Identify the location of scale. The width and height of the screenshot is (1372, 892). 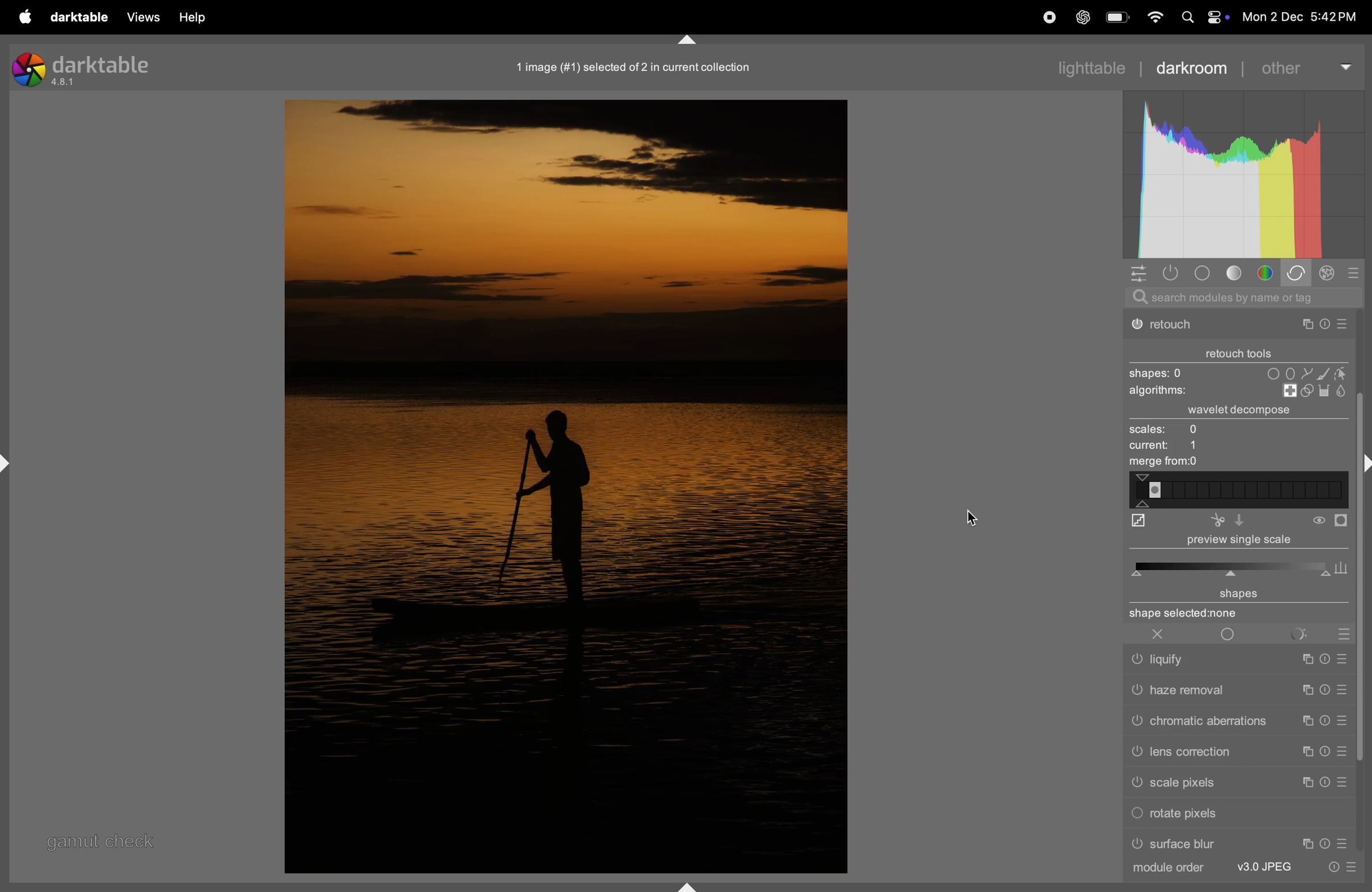
(1239, 490).